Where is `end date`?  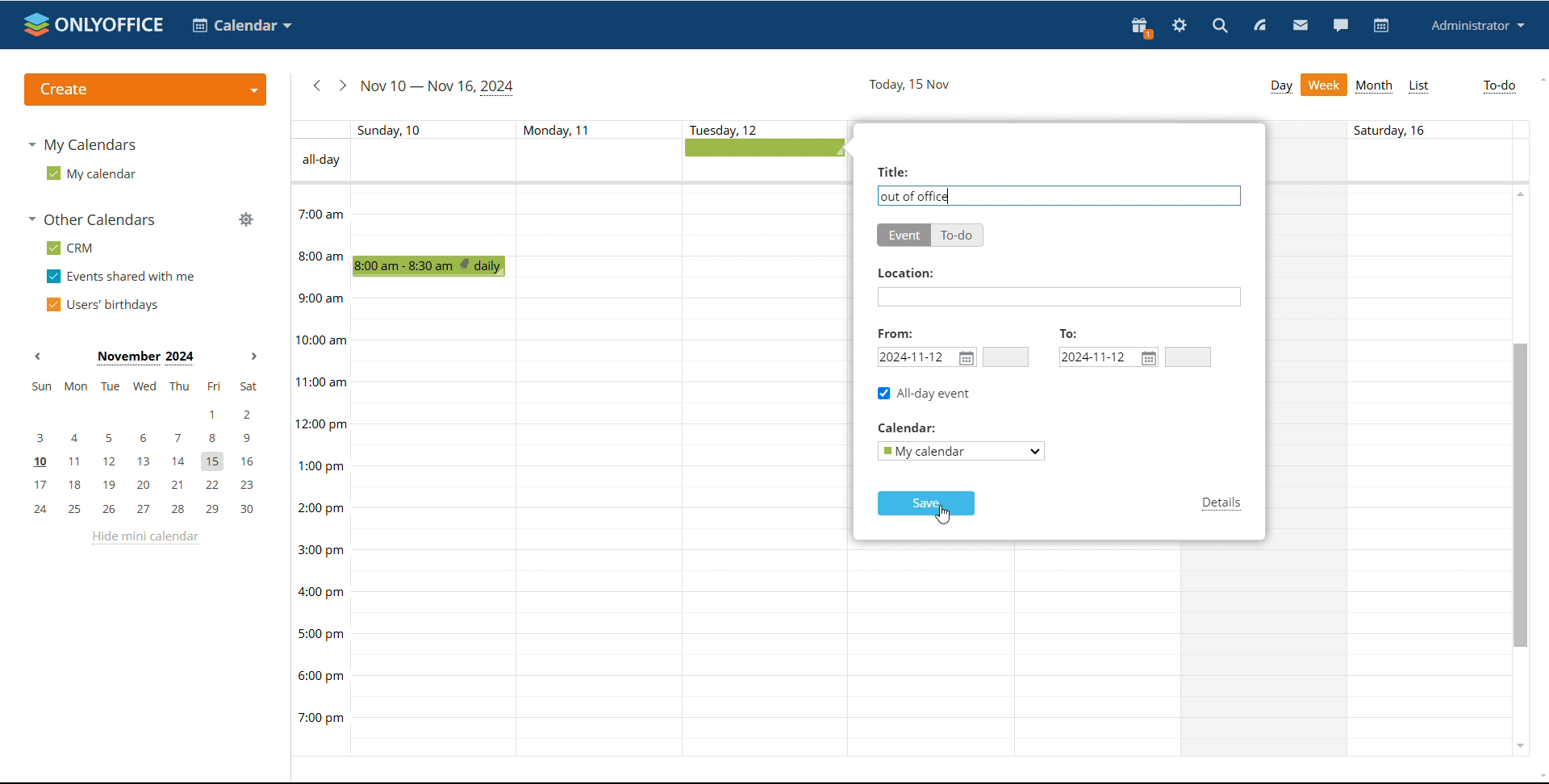
end date is located at coordinates (1108, 358).